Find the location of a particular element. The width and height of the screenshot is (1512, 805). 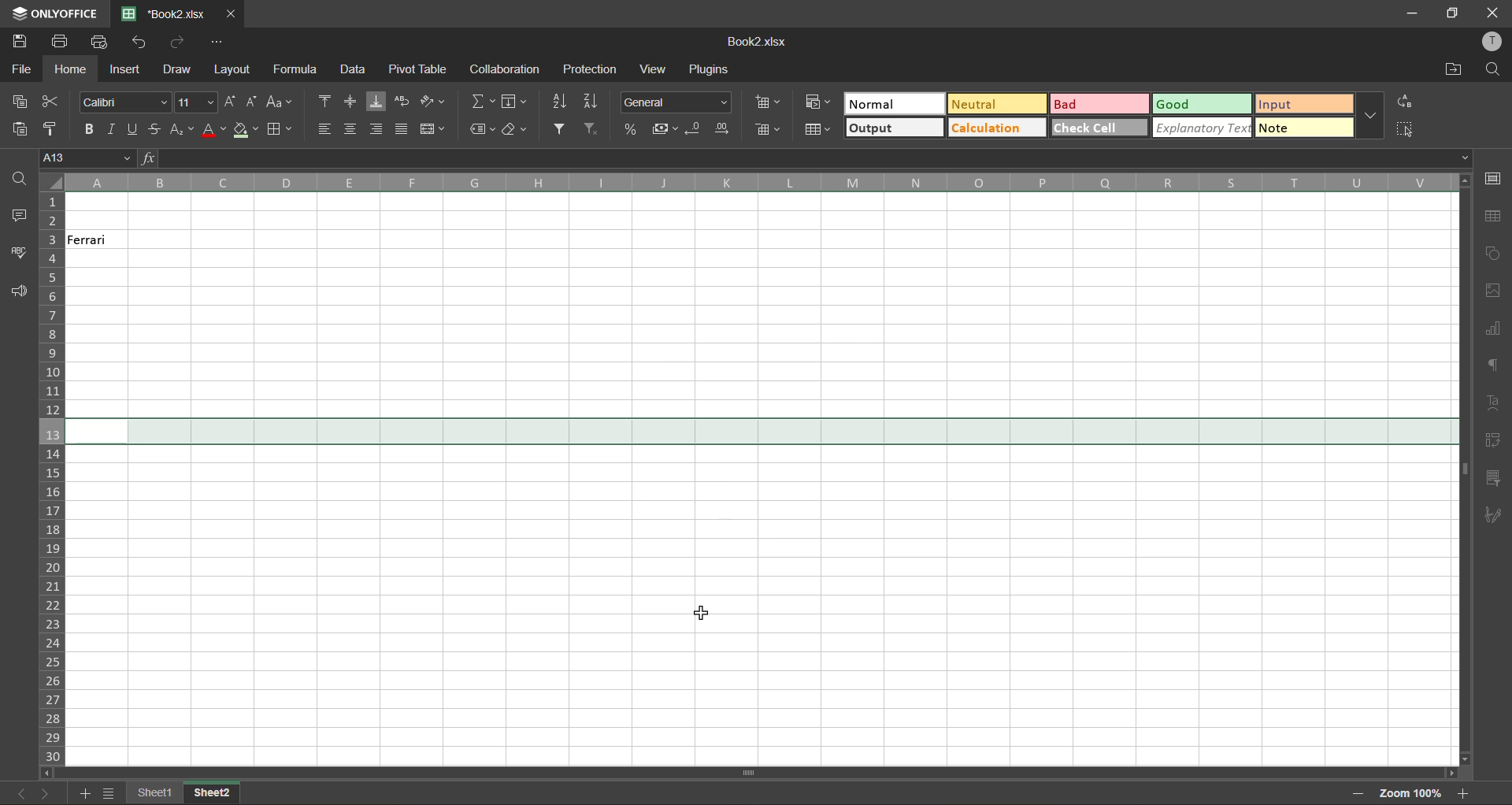

borders is located at coordinates (278, 130).